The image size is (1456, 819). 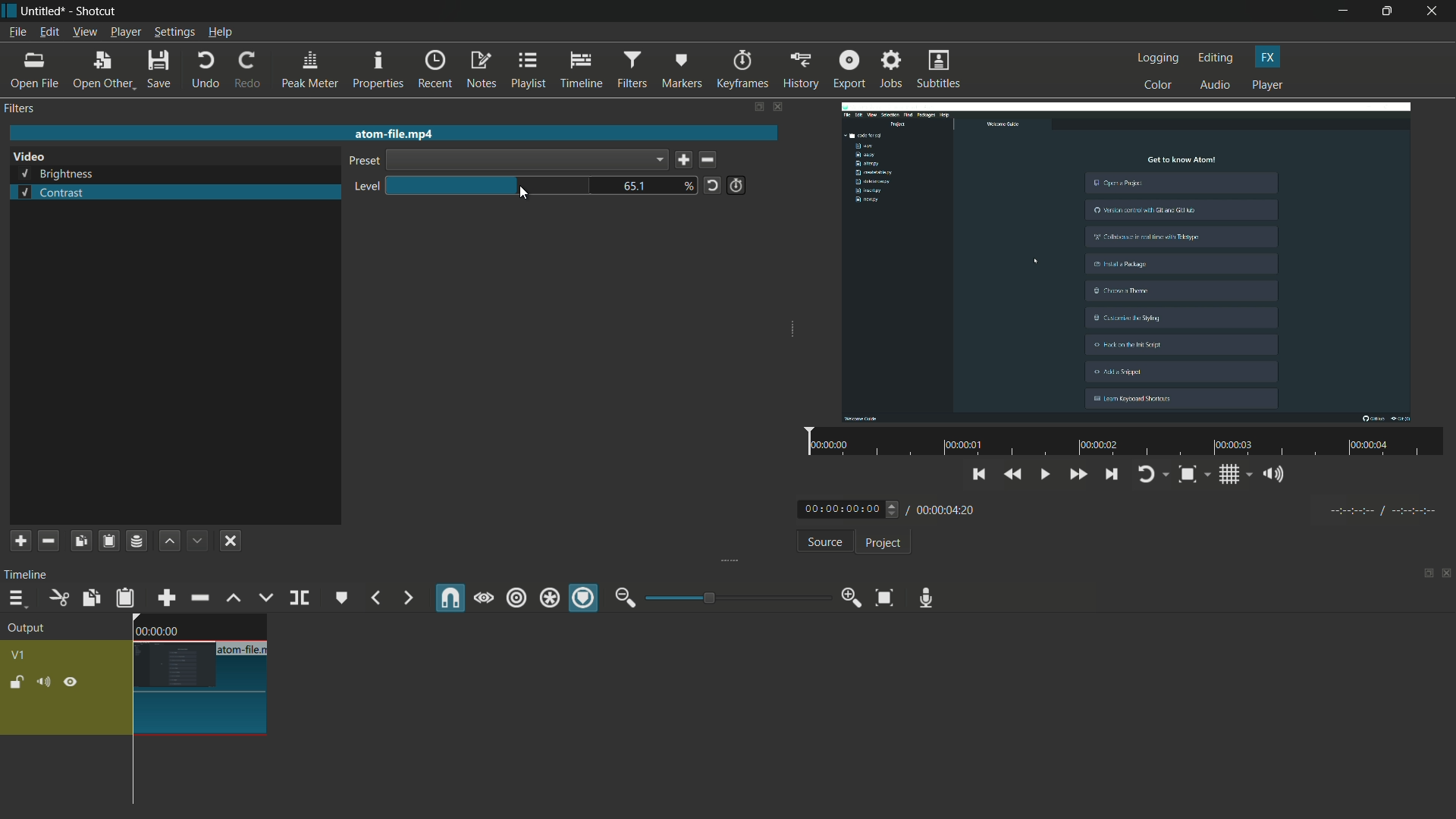 I want to click on Untitled (file name), so click(x=46, y=11).